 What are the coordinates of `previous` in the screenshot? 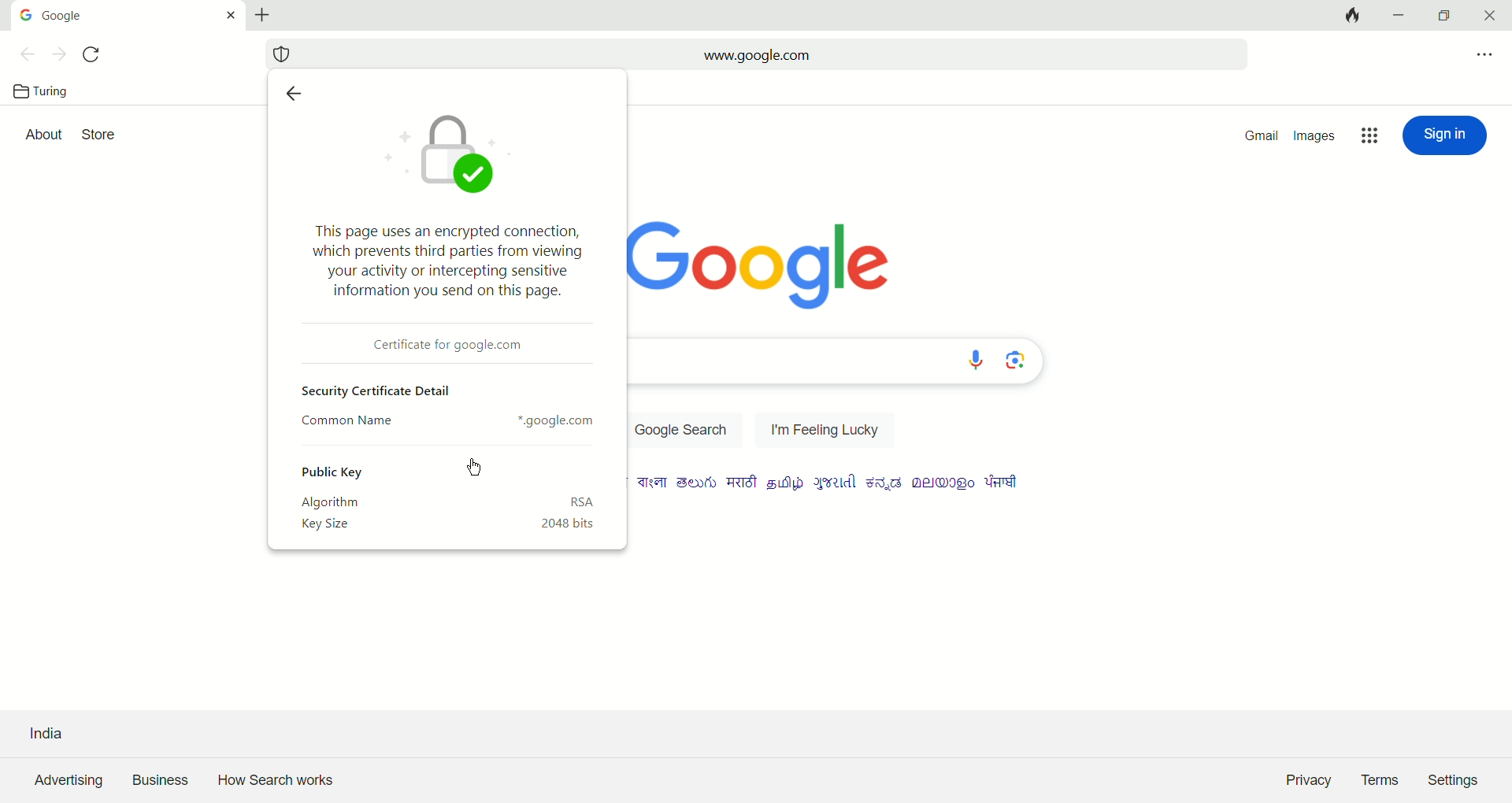 It's located at (21, 53).